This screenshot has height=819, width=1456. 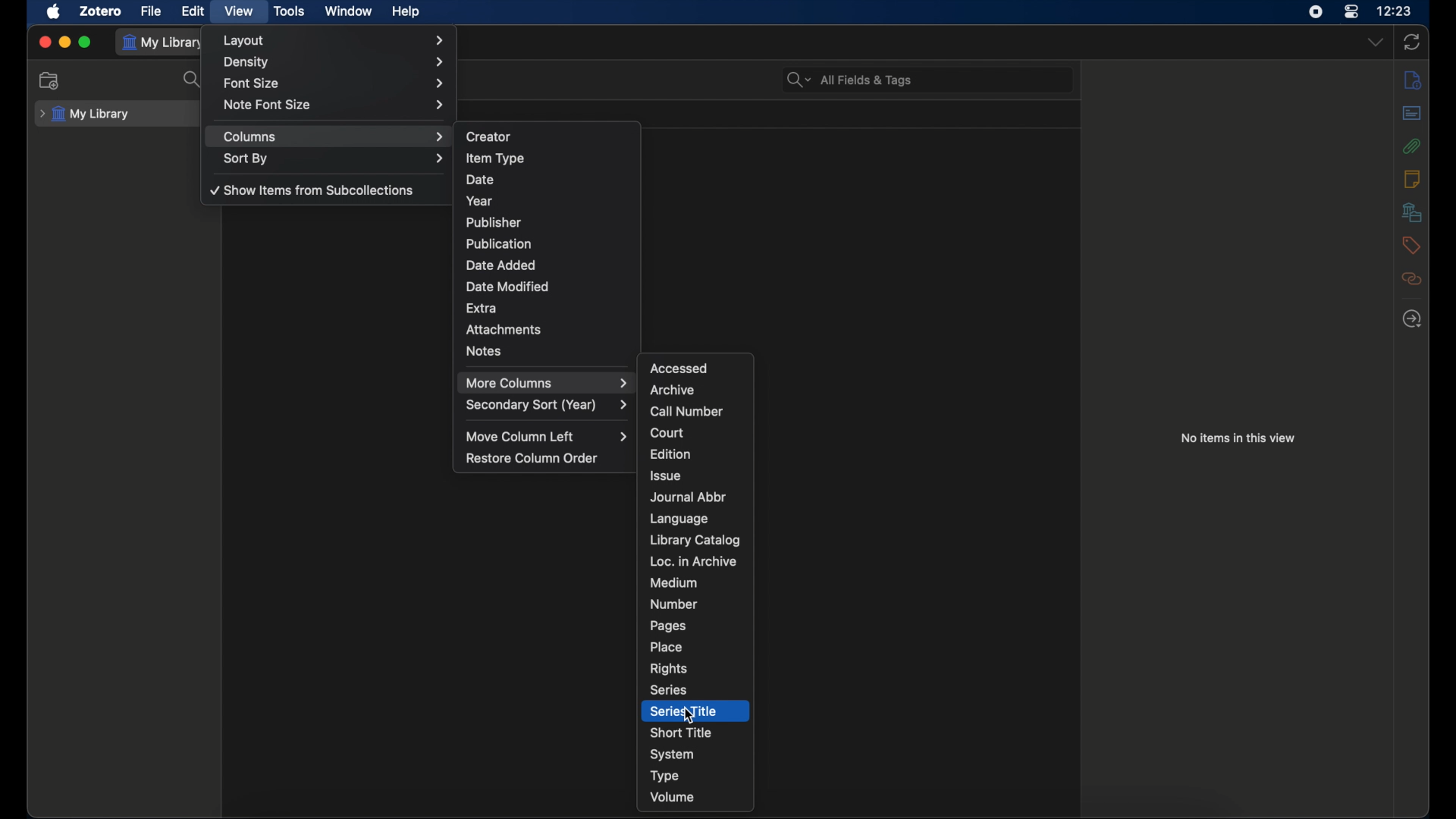 I want to click on maximize, so click(x=86, y=42).